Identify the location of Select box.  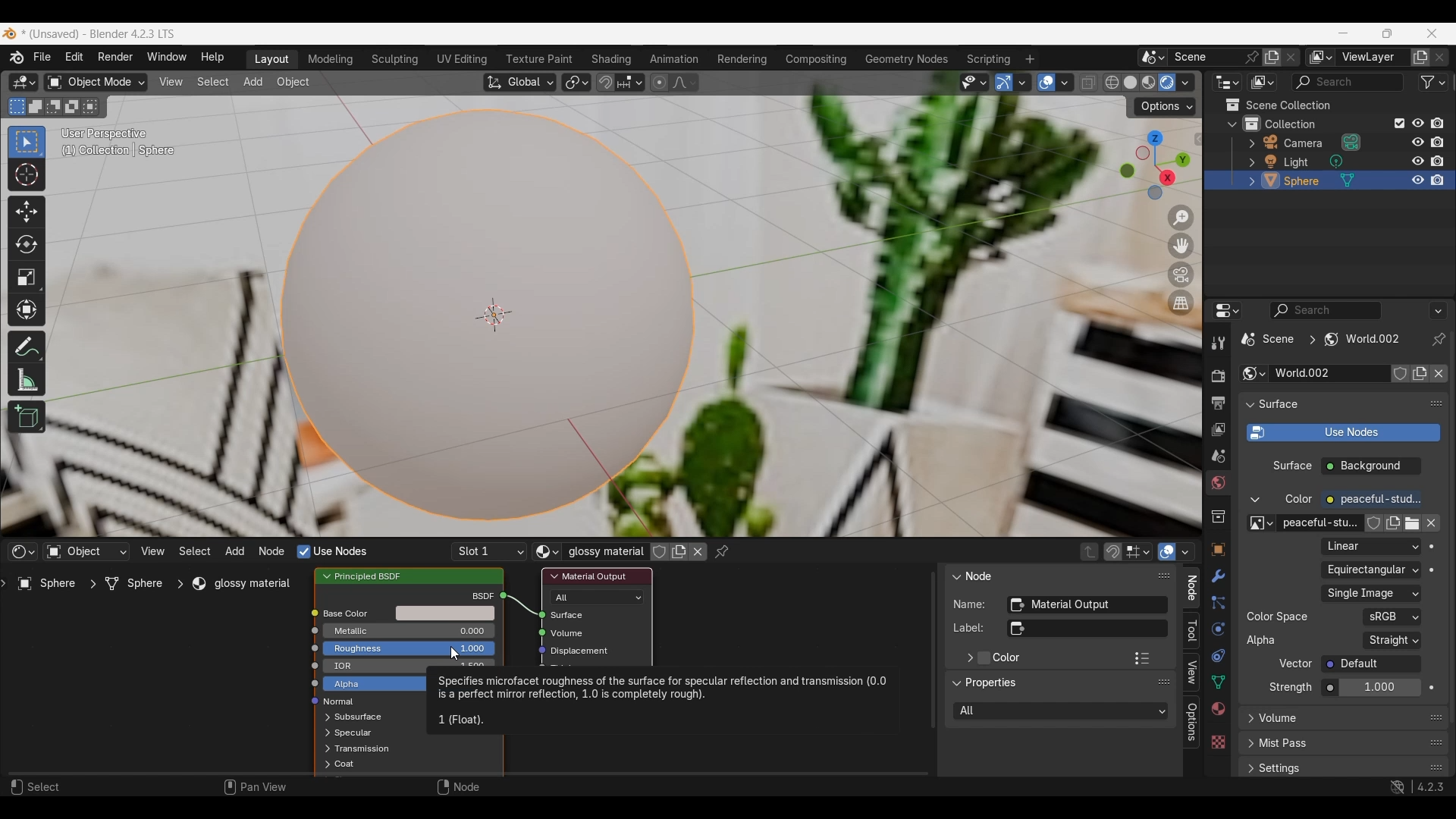
(27, 143).